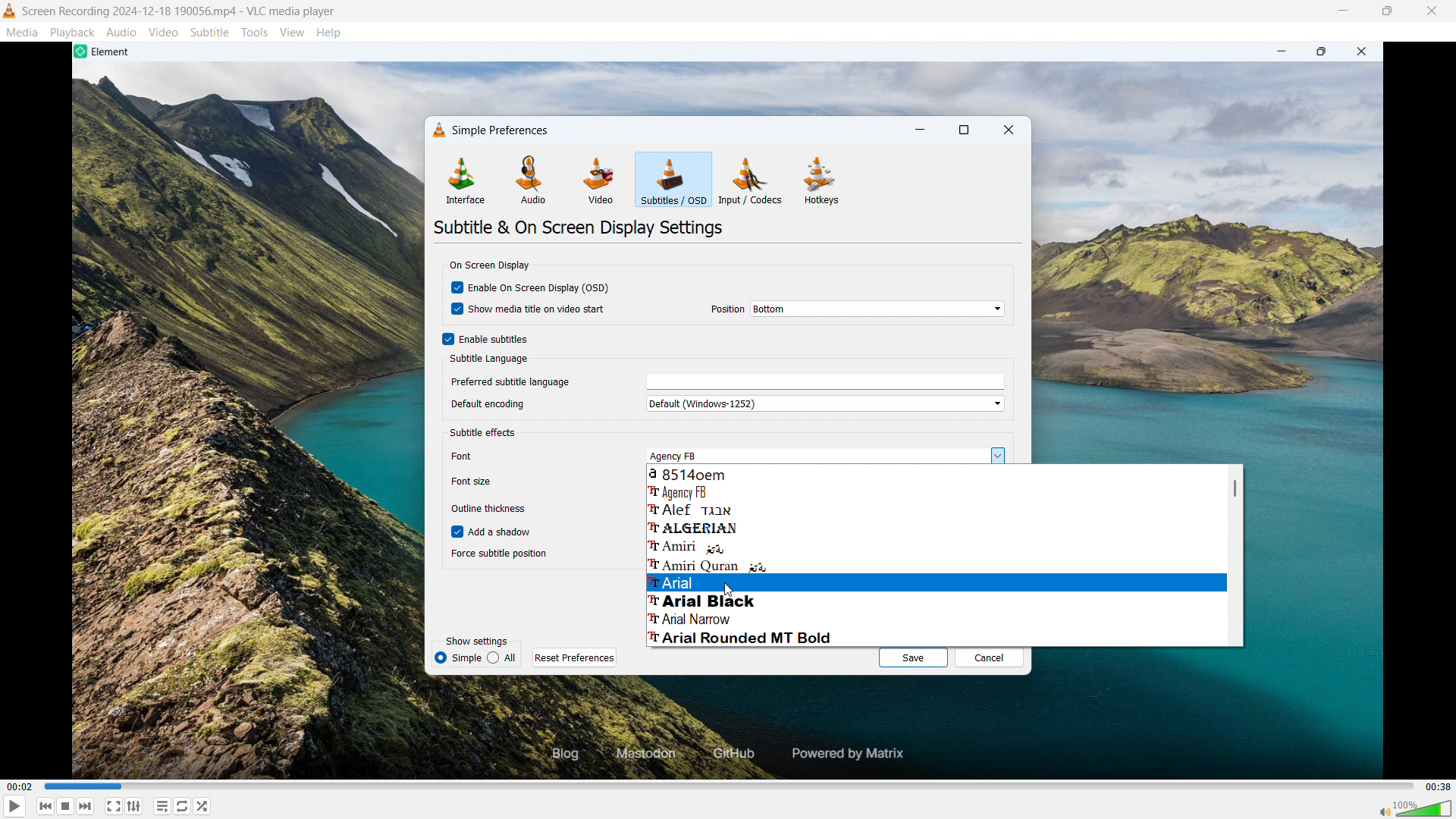  Describe the element at coordinates (877, 309) in the screenshot. I see `select on screen display position` at that location.